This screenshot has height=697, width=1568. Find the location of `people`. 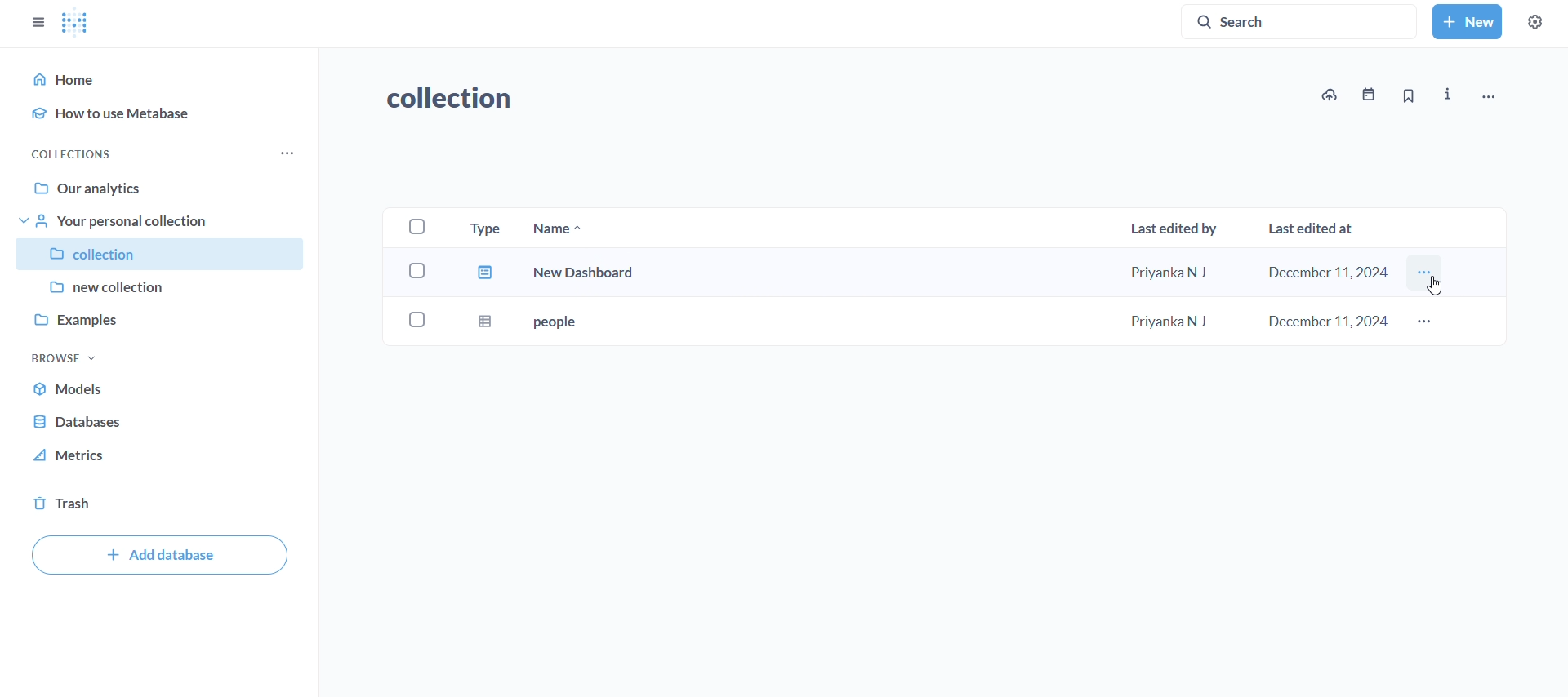

people is located at coordinates (933, 322).